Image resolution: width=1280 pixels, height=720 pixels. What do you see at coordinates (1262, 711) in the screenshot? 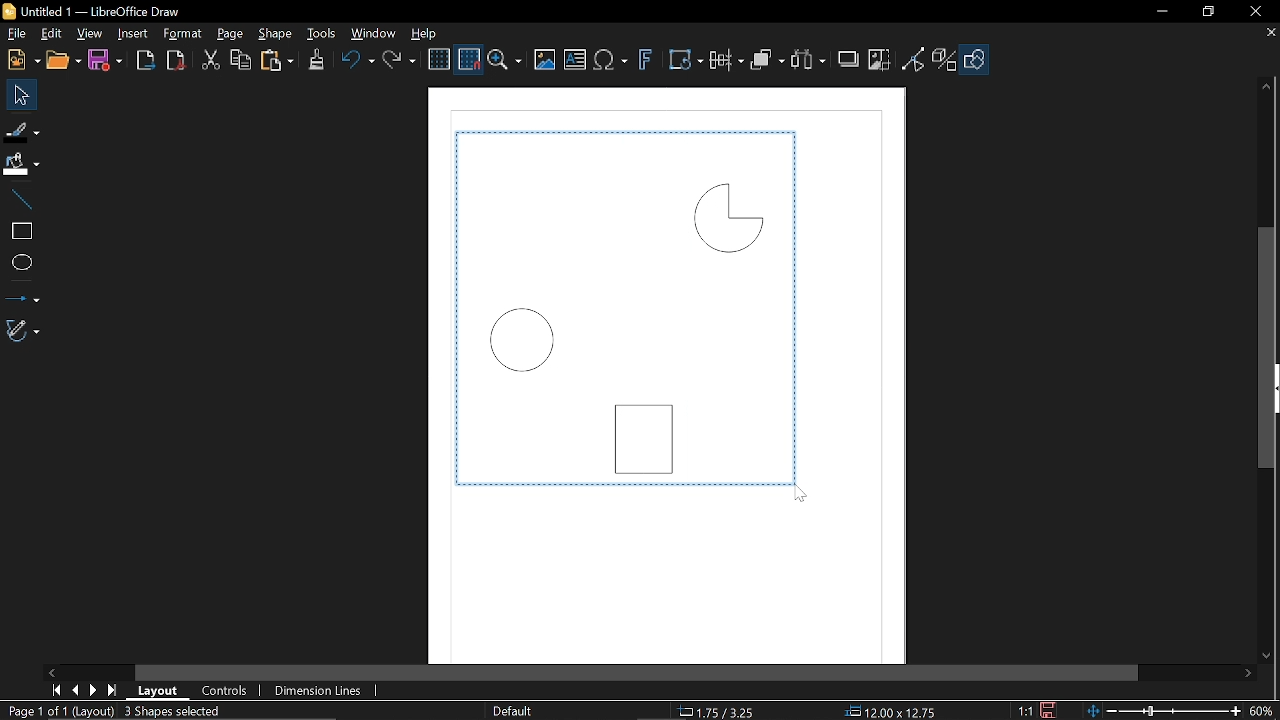
I see `Zoom` at bounding box center [1262, 711].